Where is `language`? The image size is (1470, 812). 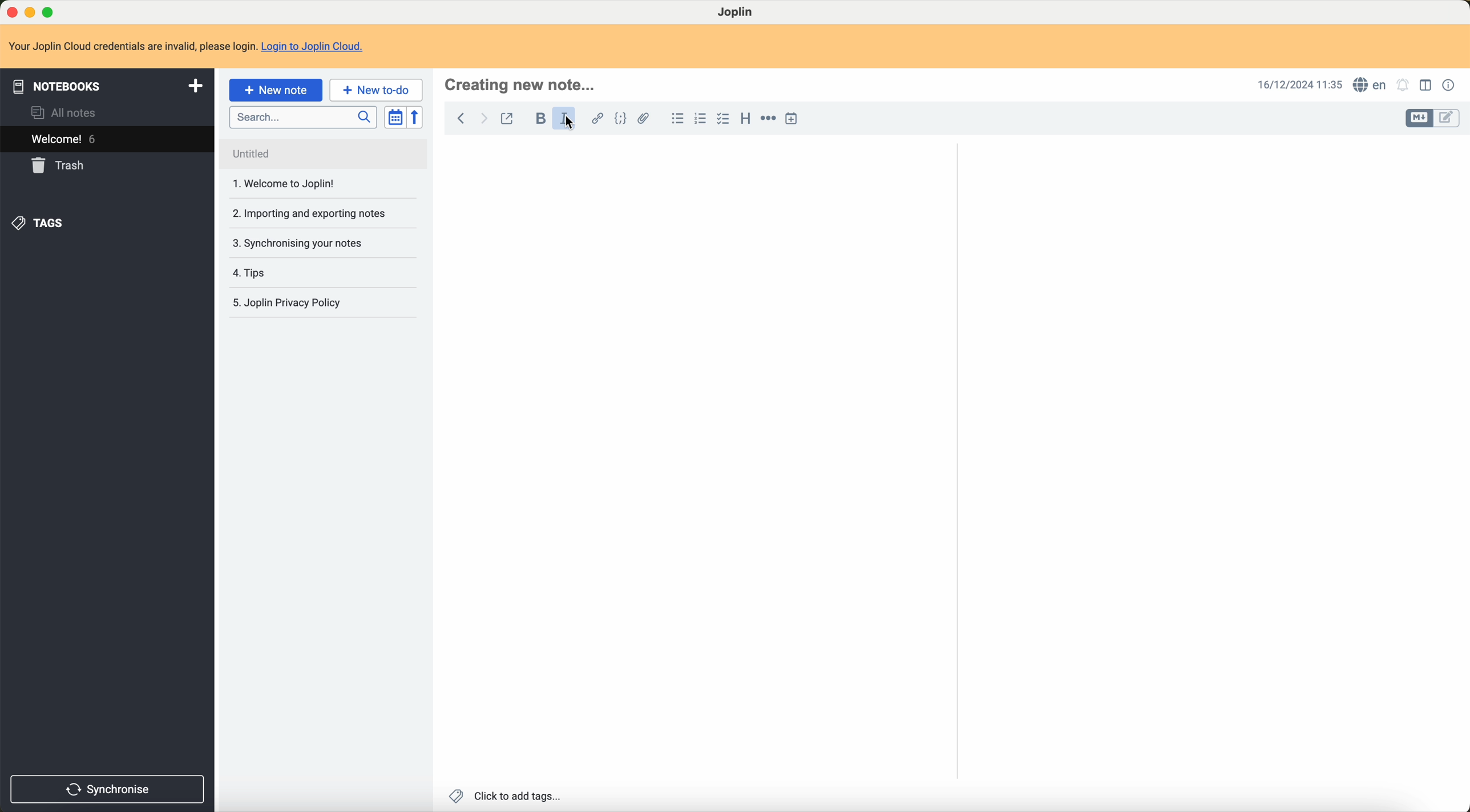 language is located at coordinates (1370, 84).